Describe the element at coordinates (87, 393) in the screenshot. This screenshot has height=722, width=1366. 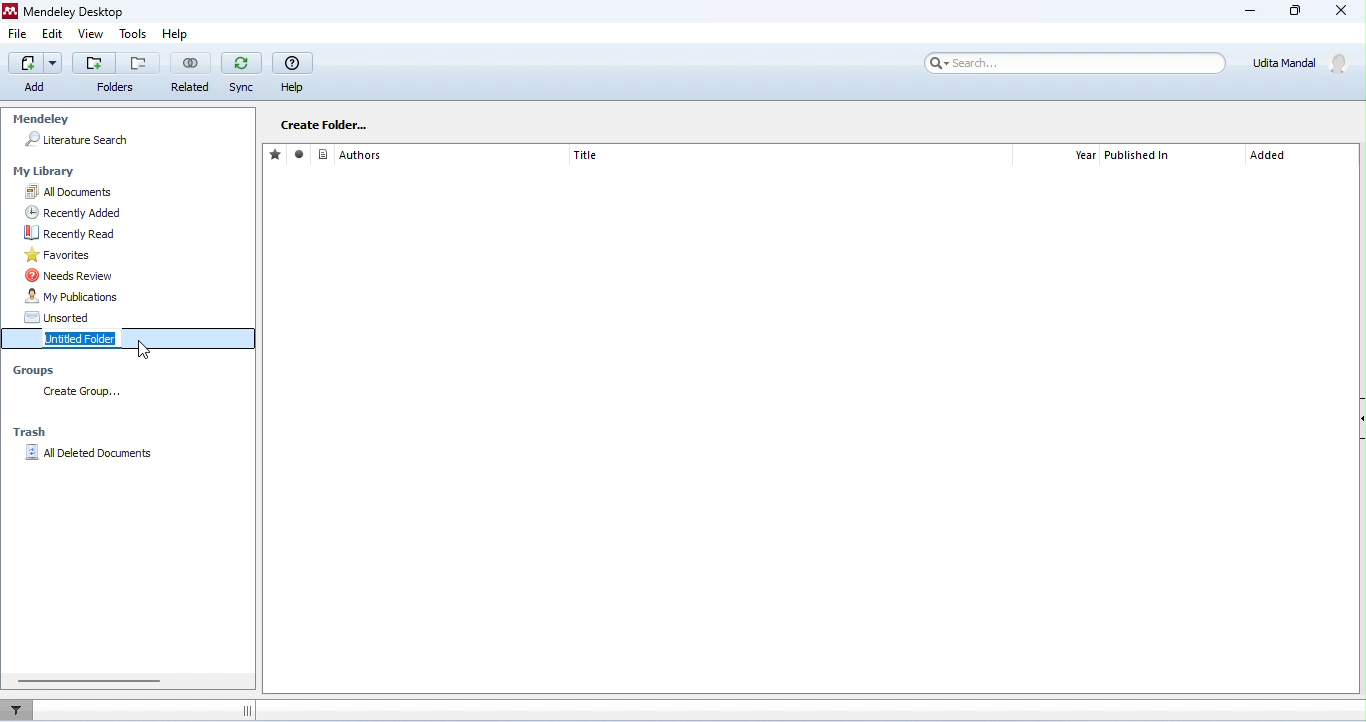
I see `create group` at that location.